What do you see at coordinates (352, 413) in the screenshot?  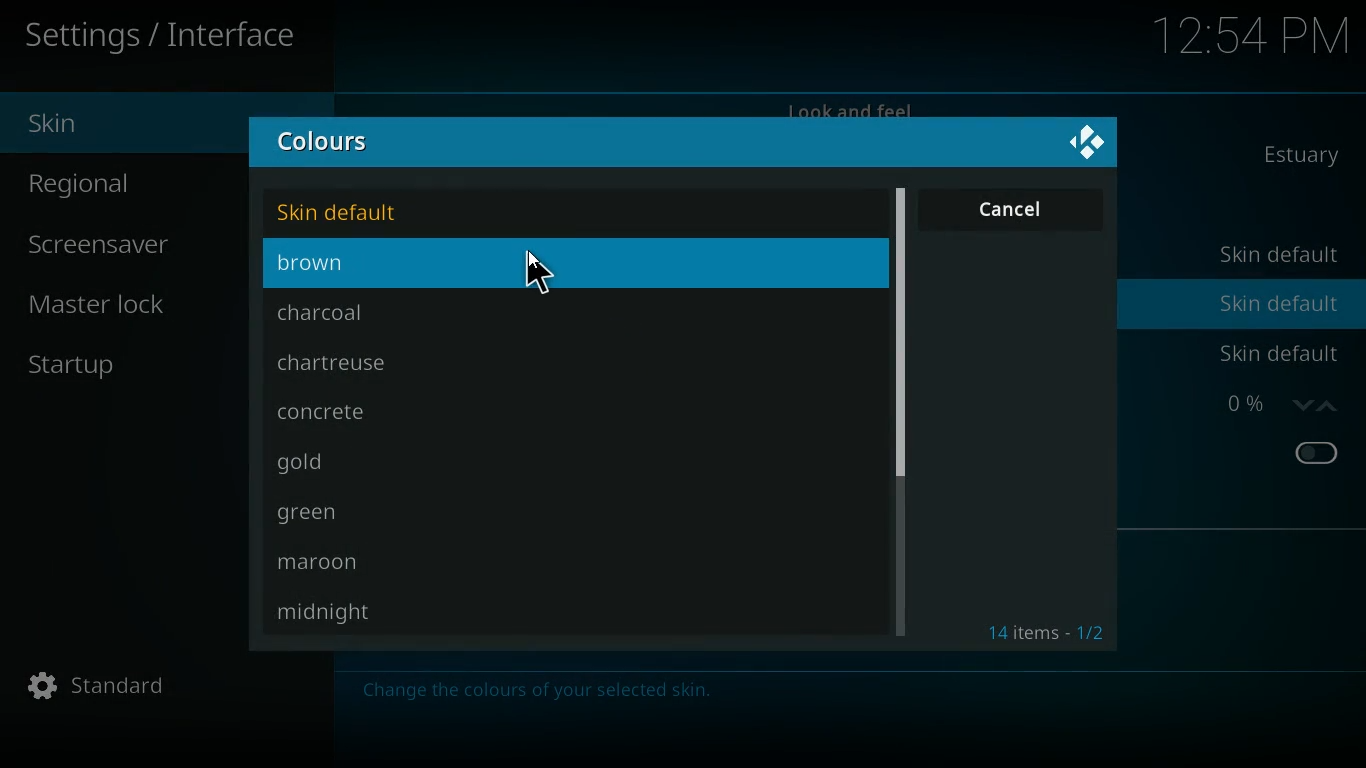 I see `concrete` at bounding box center [352, 413].